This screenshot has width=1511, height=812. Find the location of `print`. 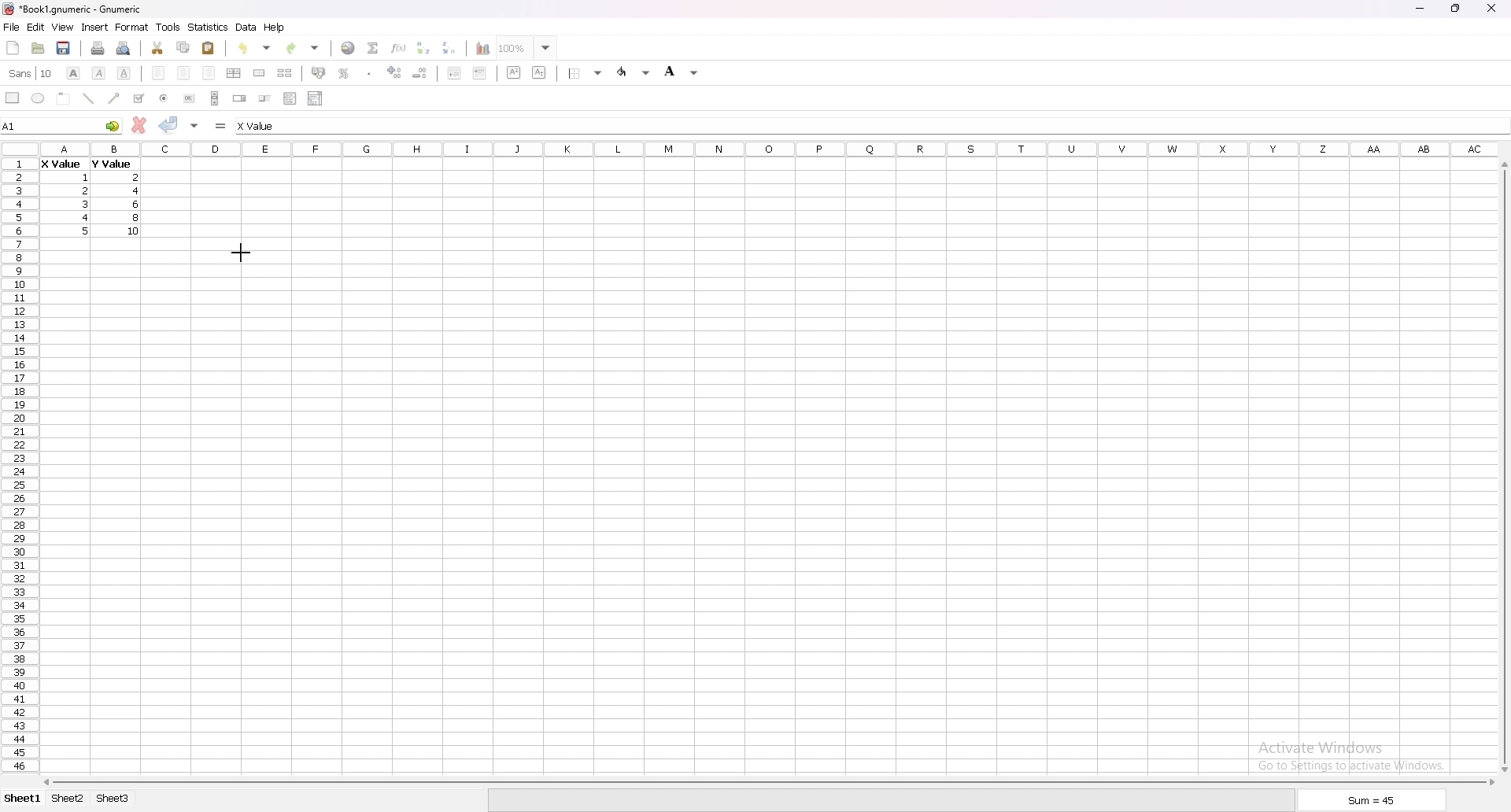

print is located at coordinates (98, 48).